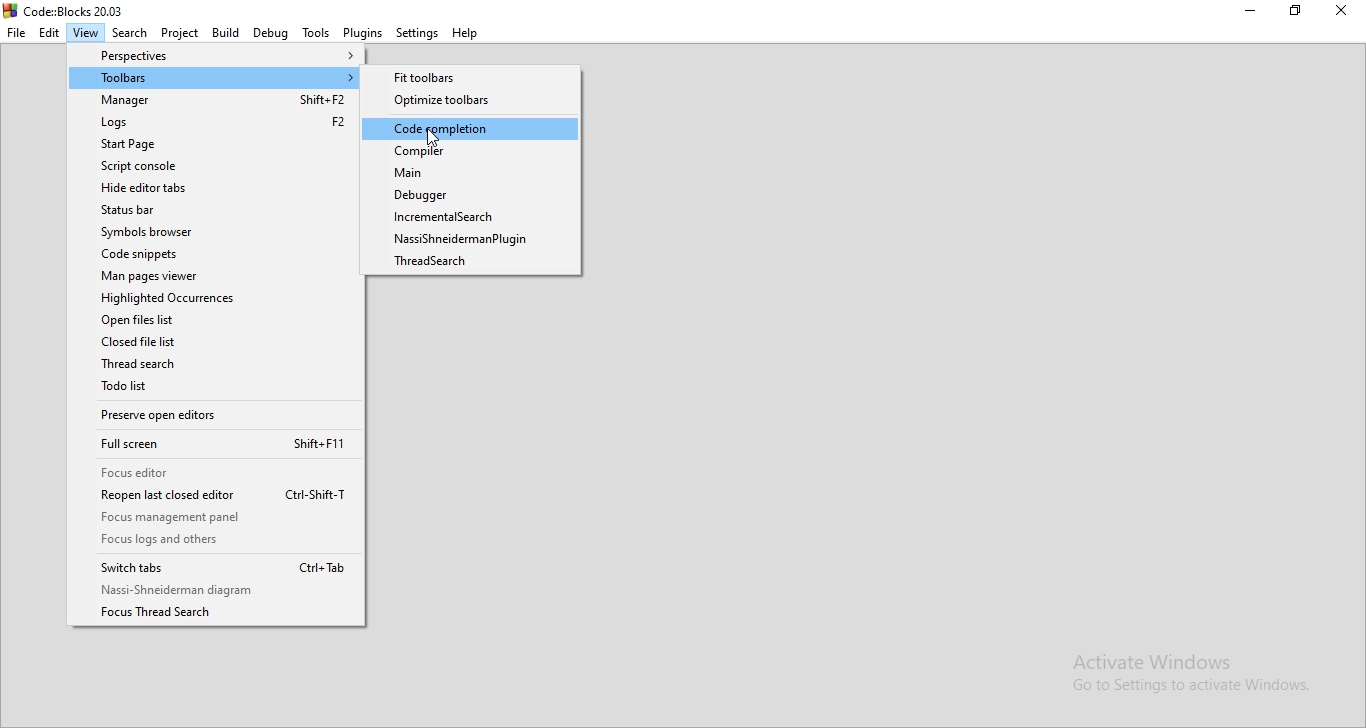  What do you see at coordinates (470, 100) in the screenshot?
I see `Optimize toolbars` at bounding box center [470, 100].